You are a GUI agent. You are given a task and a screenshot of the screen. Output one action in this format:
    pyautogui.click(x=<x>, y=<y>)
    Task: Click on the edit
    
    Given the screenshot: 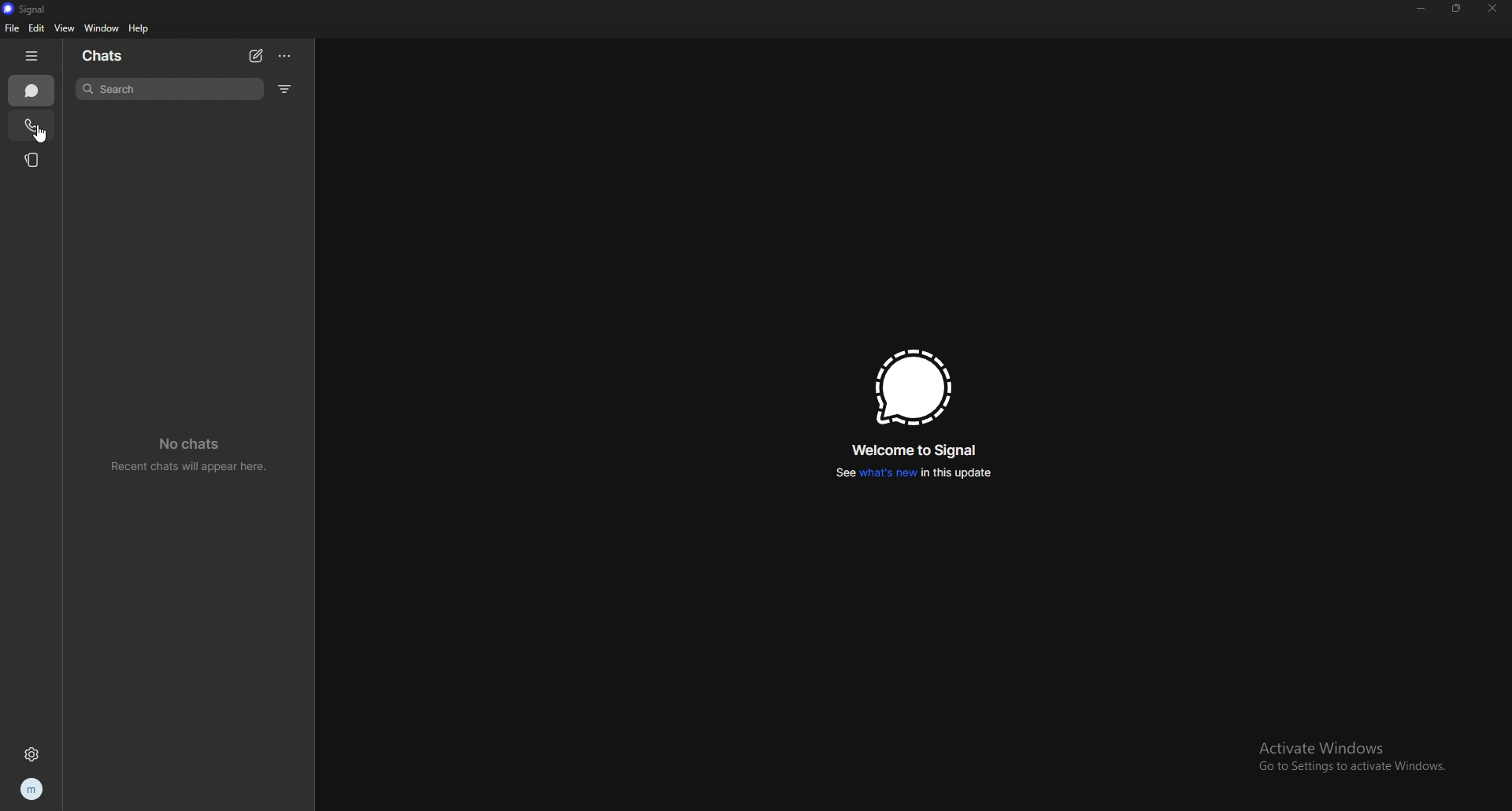 What is the action you would take?
    pyautogui.click(x=36, y=28)
    